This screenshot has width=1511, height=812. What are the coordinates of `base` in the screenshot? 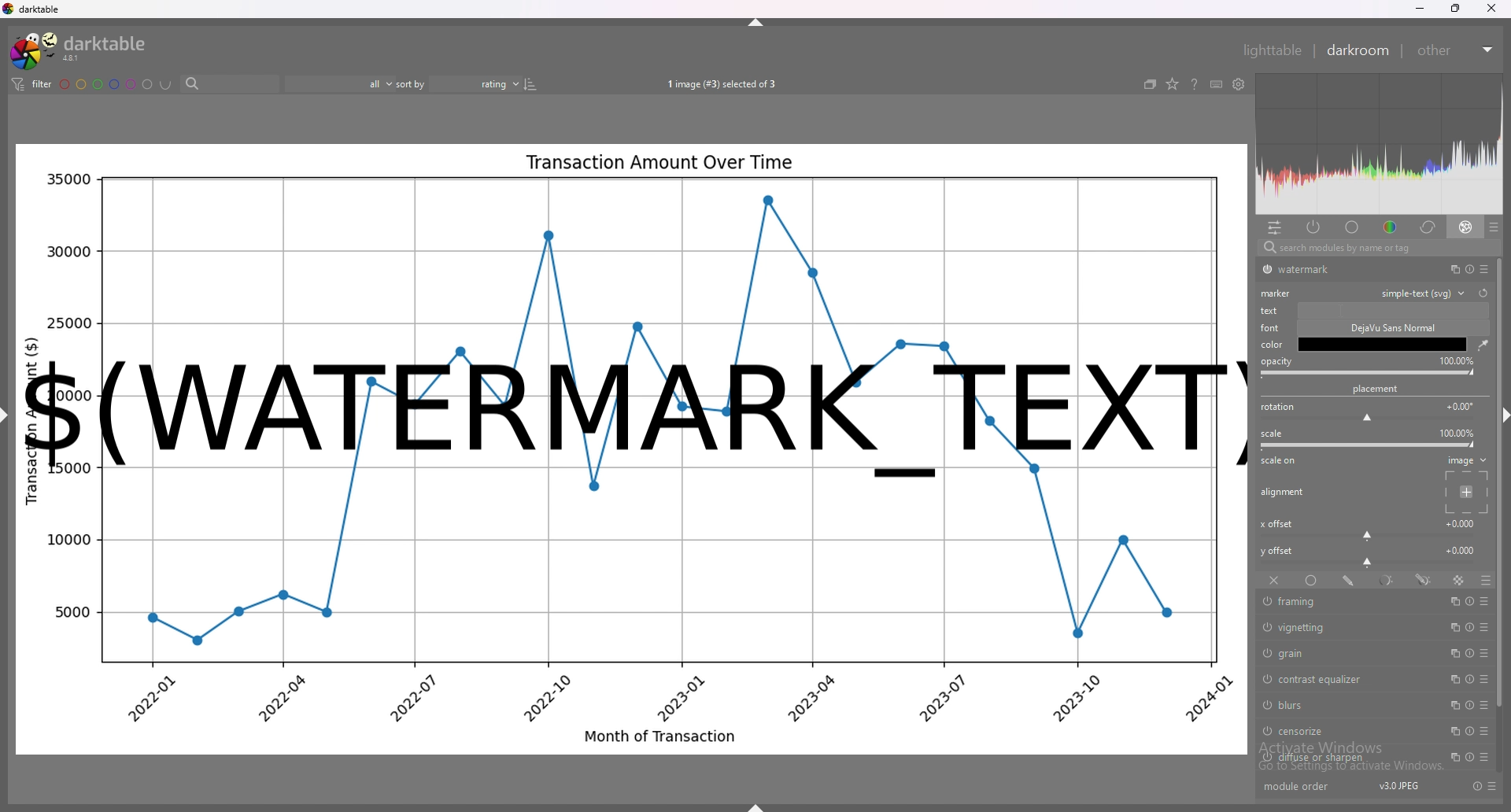 It's located at (1352, 227).